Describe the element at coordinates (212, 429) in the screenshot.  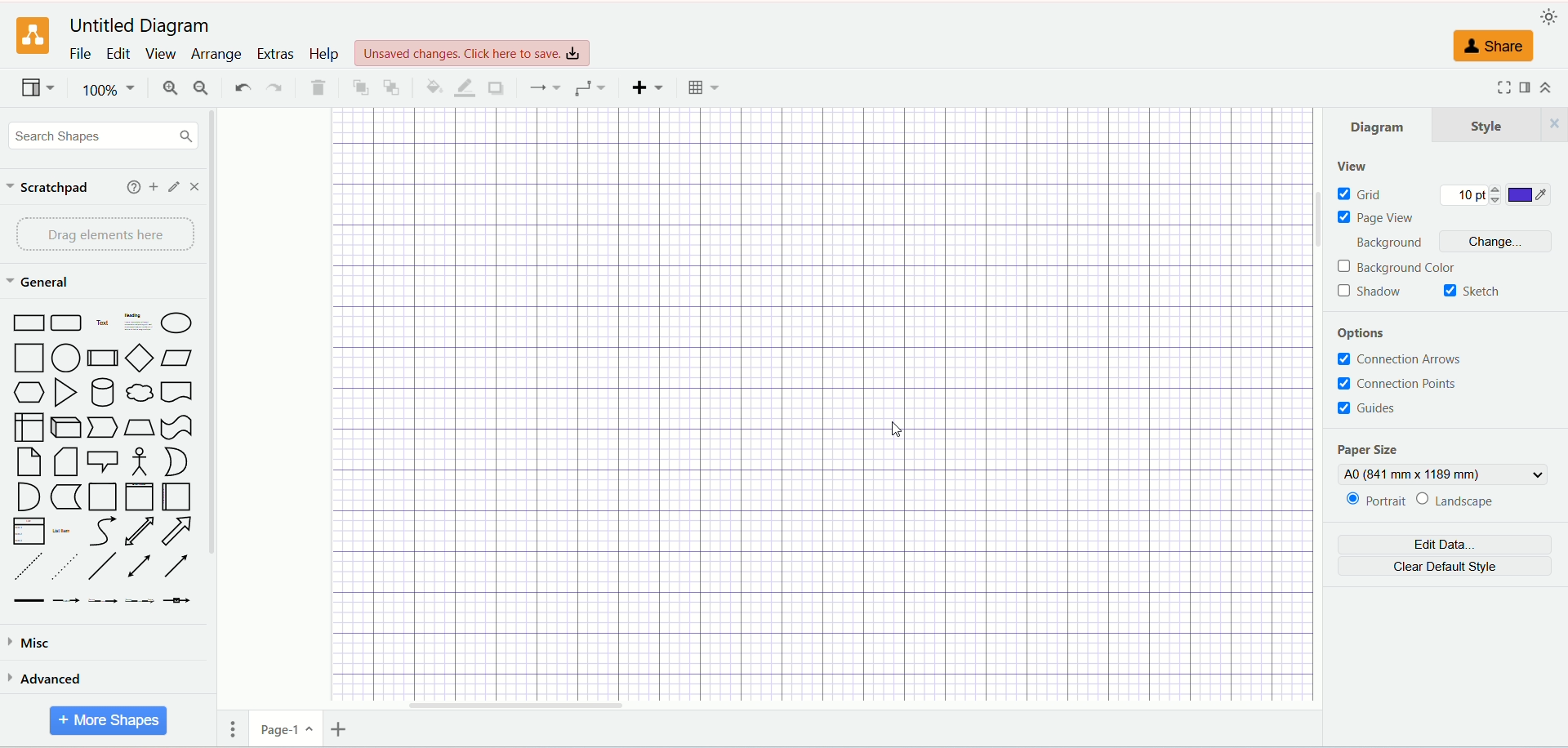
I see `vertical scroll bar` at that location.